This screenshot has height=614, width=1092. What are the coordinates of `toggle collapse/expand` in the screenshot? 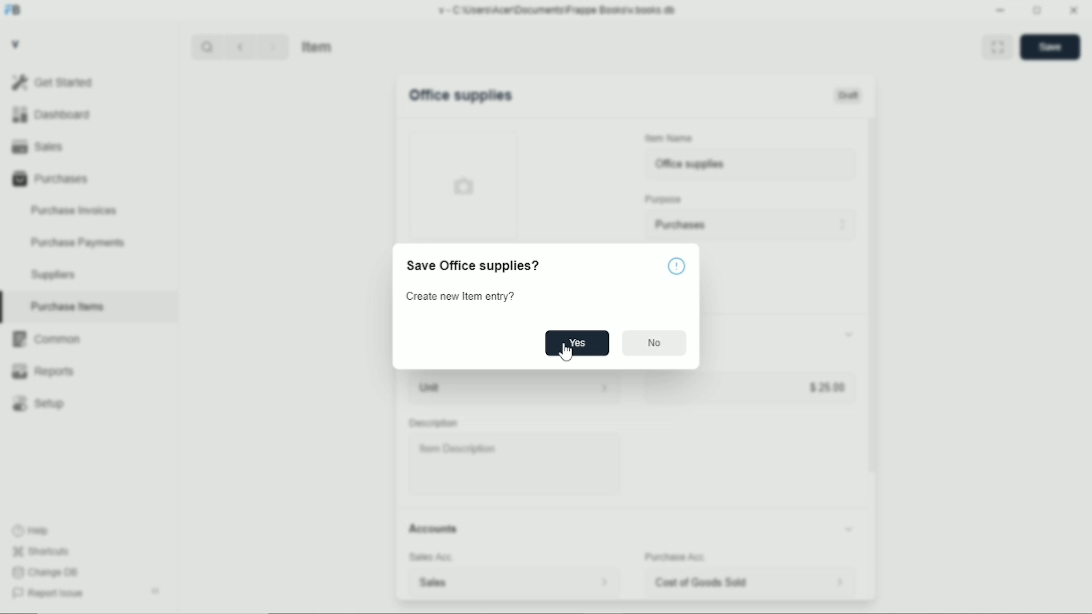 It's located at (850, 334).